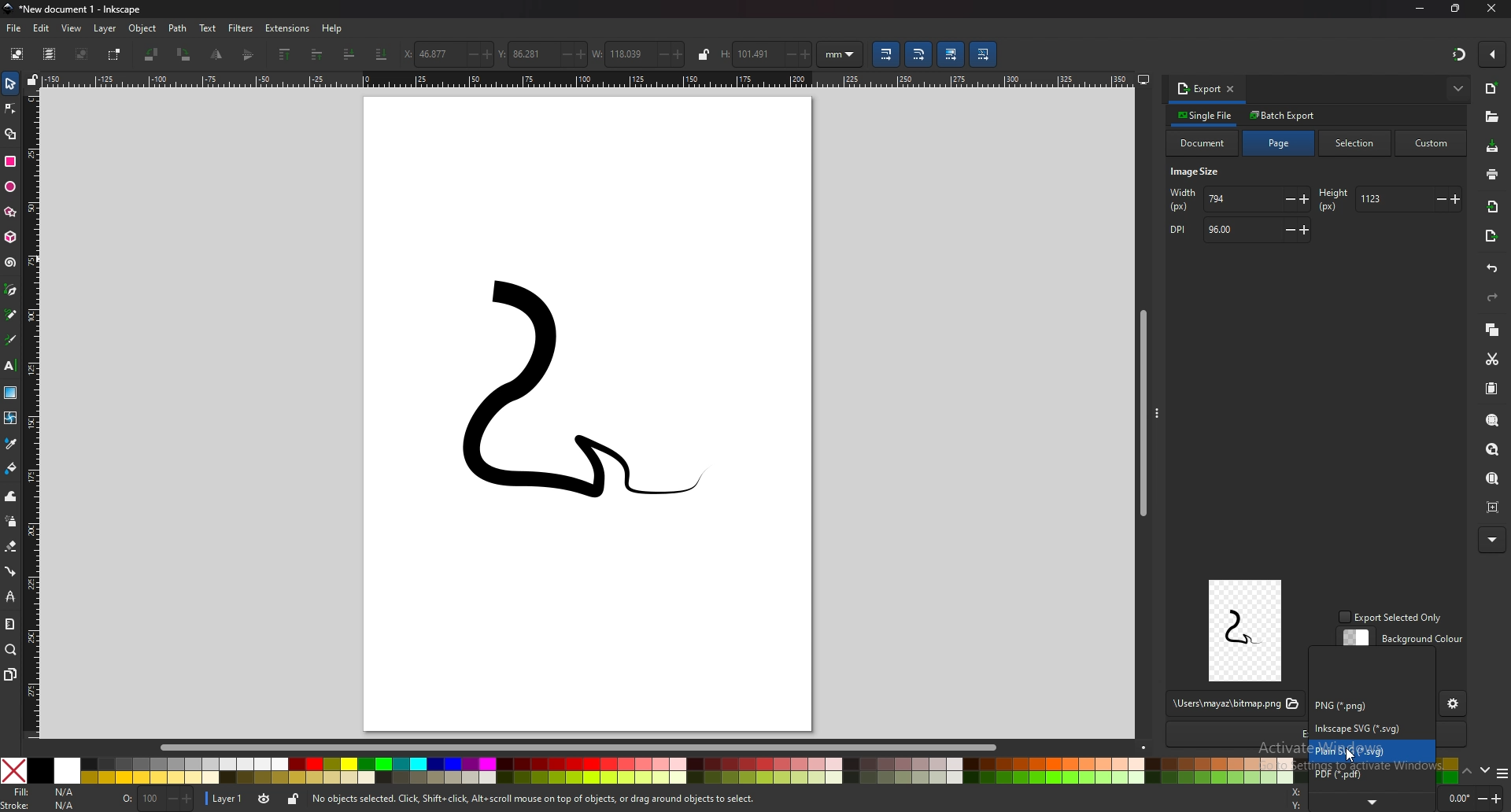 The width and height of the screenshot is (1511, 812). Describe the element at coordinates (16, 54) in the screenshot. I see `select all objects` at that location.